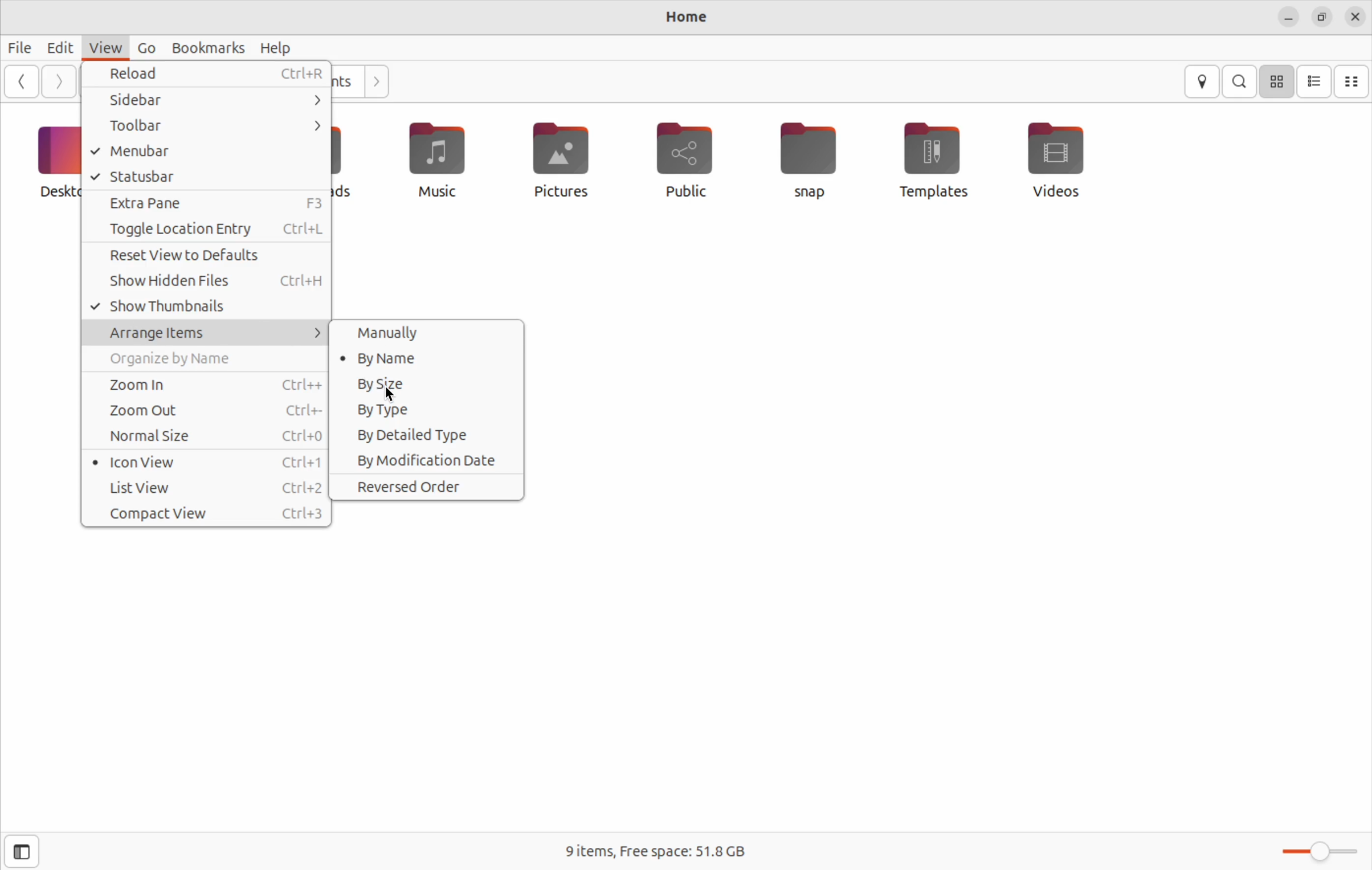 Image resolution: width=1372 pixels, height=870 pixels. I want to click on reload, so click(210, 75).